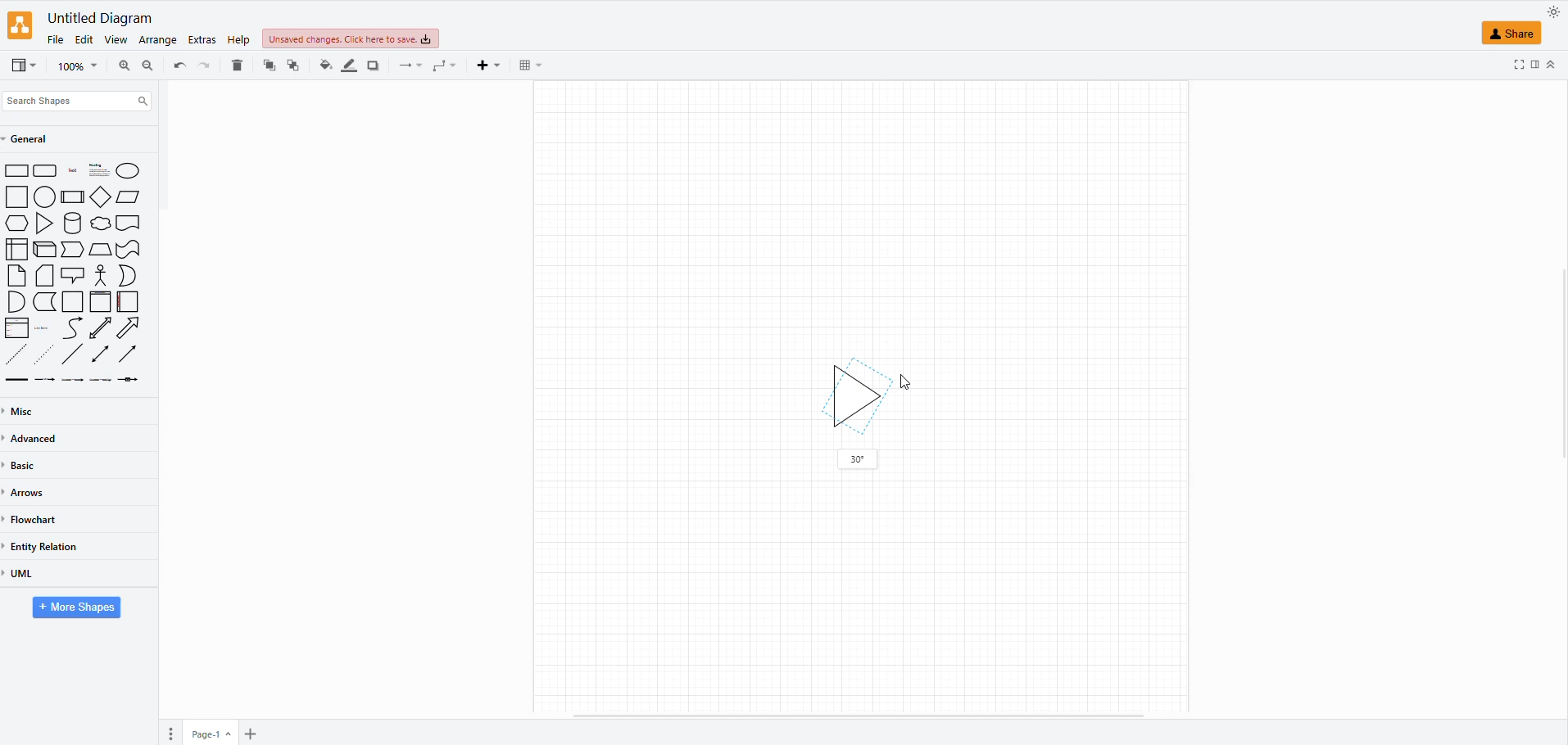 This screenshot has height=745, width=1568. What do you see at coordinates (860, 460) in the screenshot?
I see `degree` at bounding box center [860, 460].